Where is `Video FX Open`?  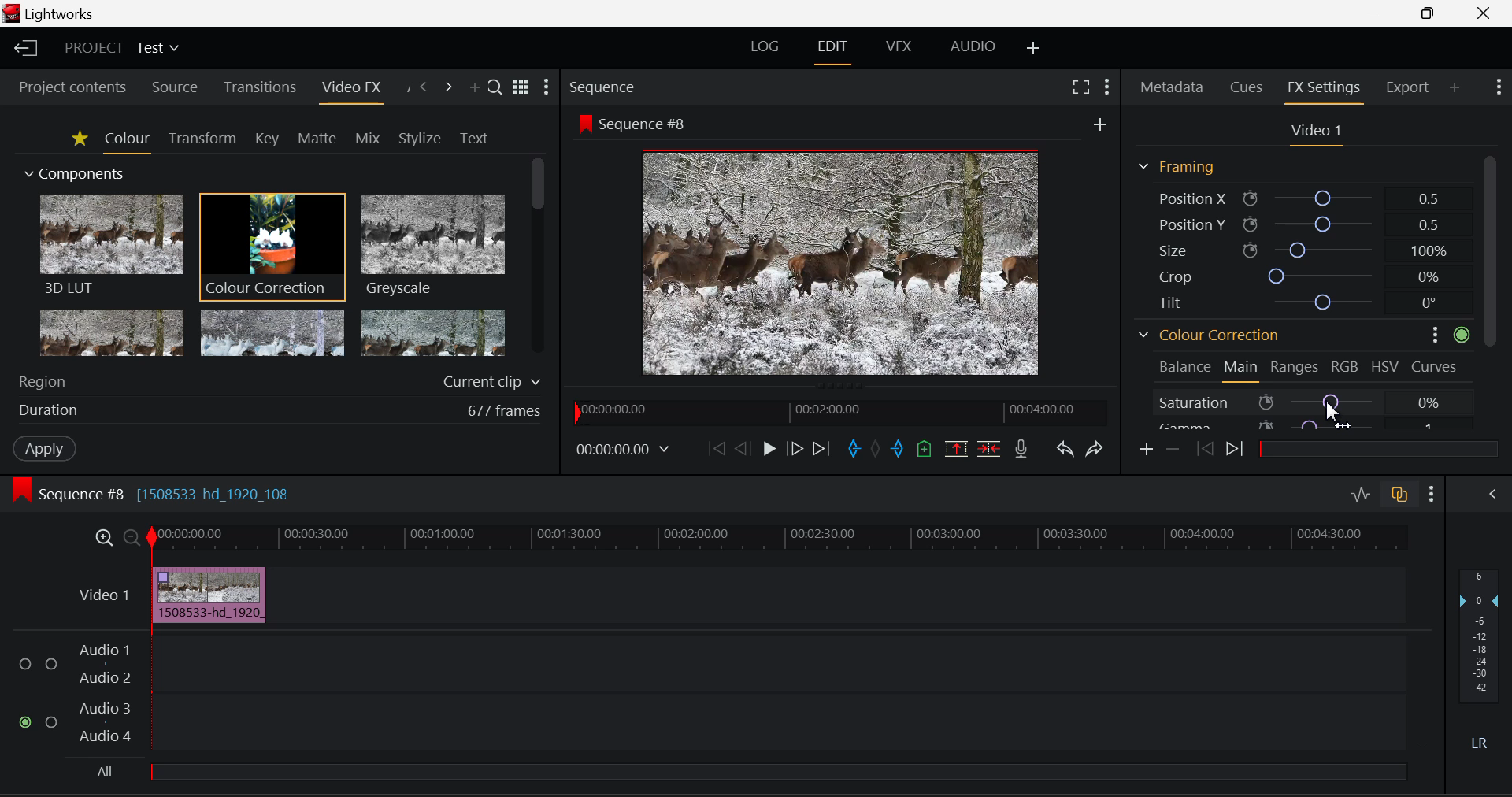 Video FX Open is located at coordinates (353, 91).